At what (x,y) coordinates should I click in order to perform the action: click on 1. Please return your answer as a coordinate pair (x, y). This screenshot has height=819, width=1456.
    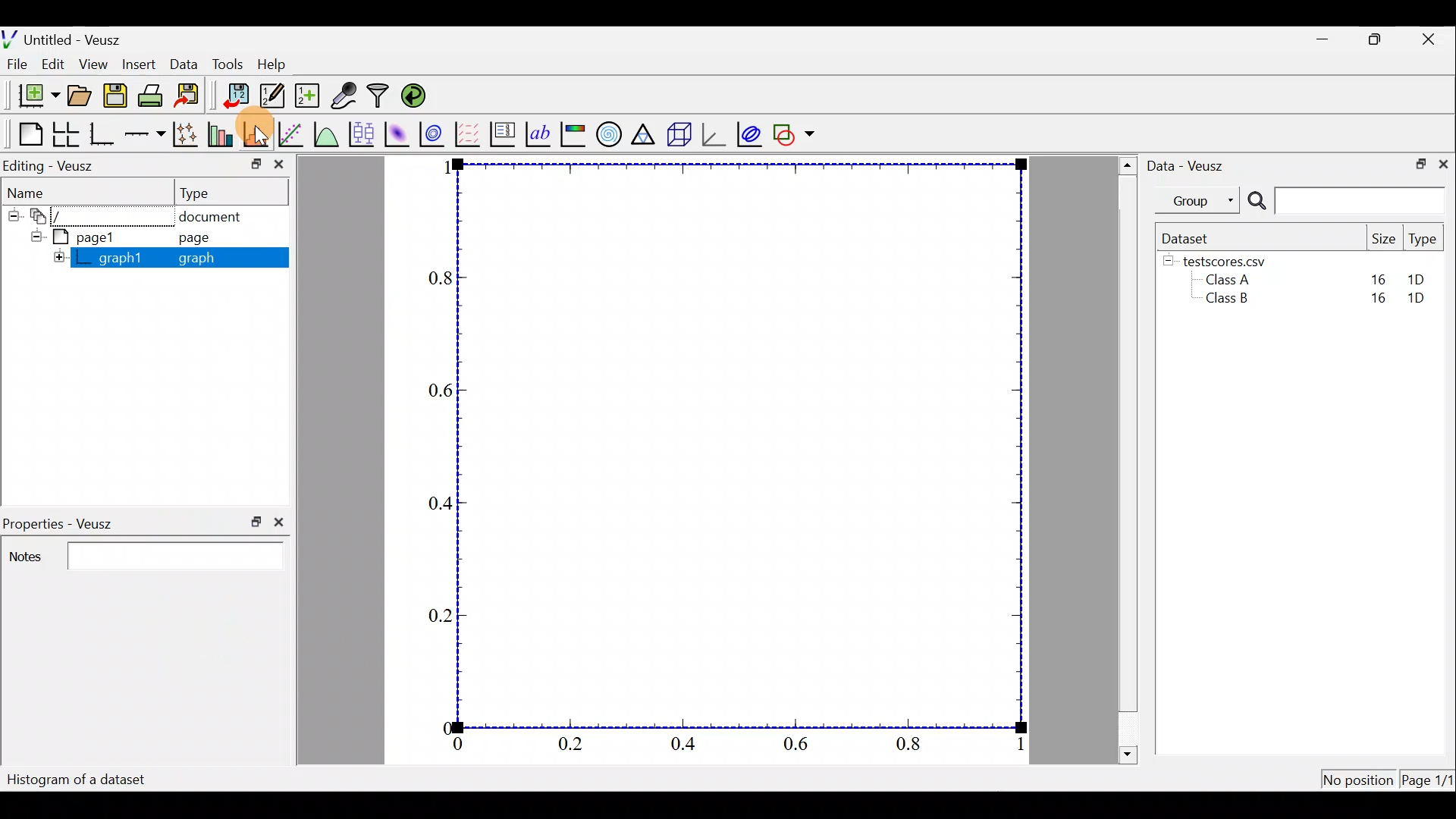
    Looking at the image, I should click on (1016, 745).